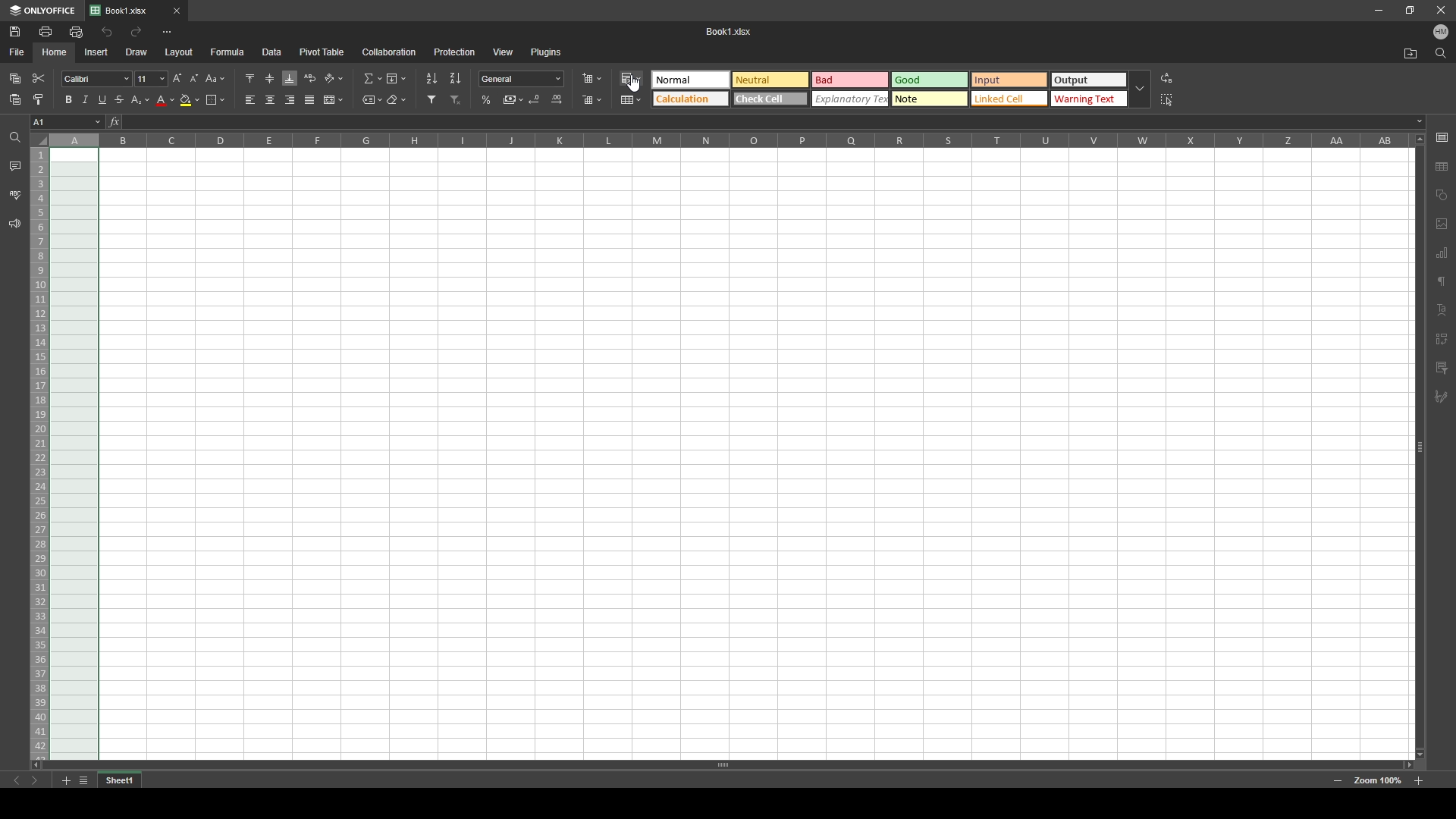 This screenshot has width=1456, height=819. I want to click on onlyoffice, so click(43, 11).